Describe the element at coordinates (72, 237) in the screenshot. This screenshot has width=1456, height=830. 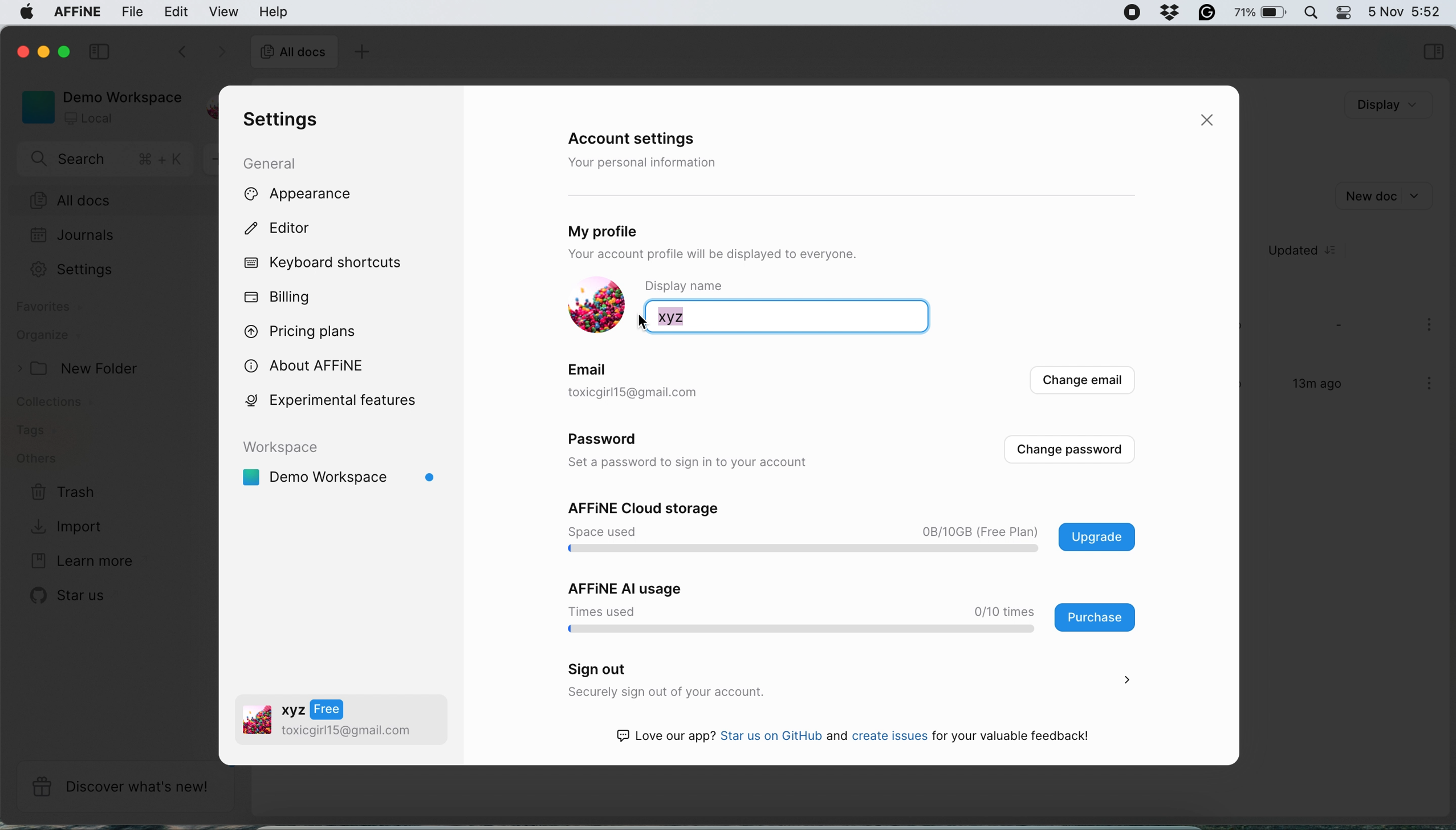
I see `journals` at that location.